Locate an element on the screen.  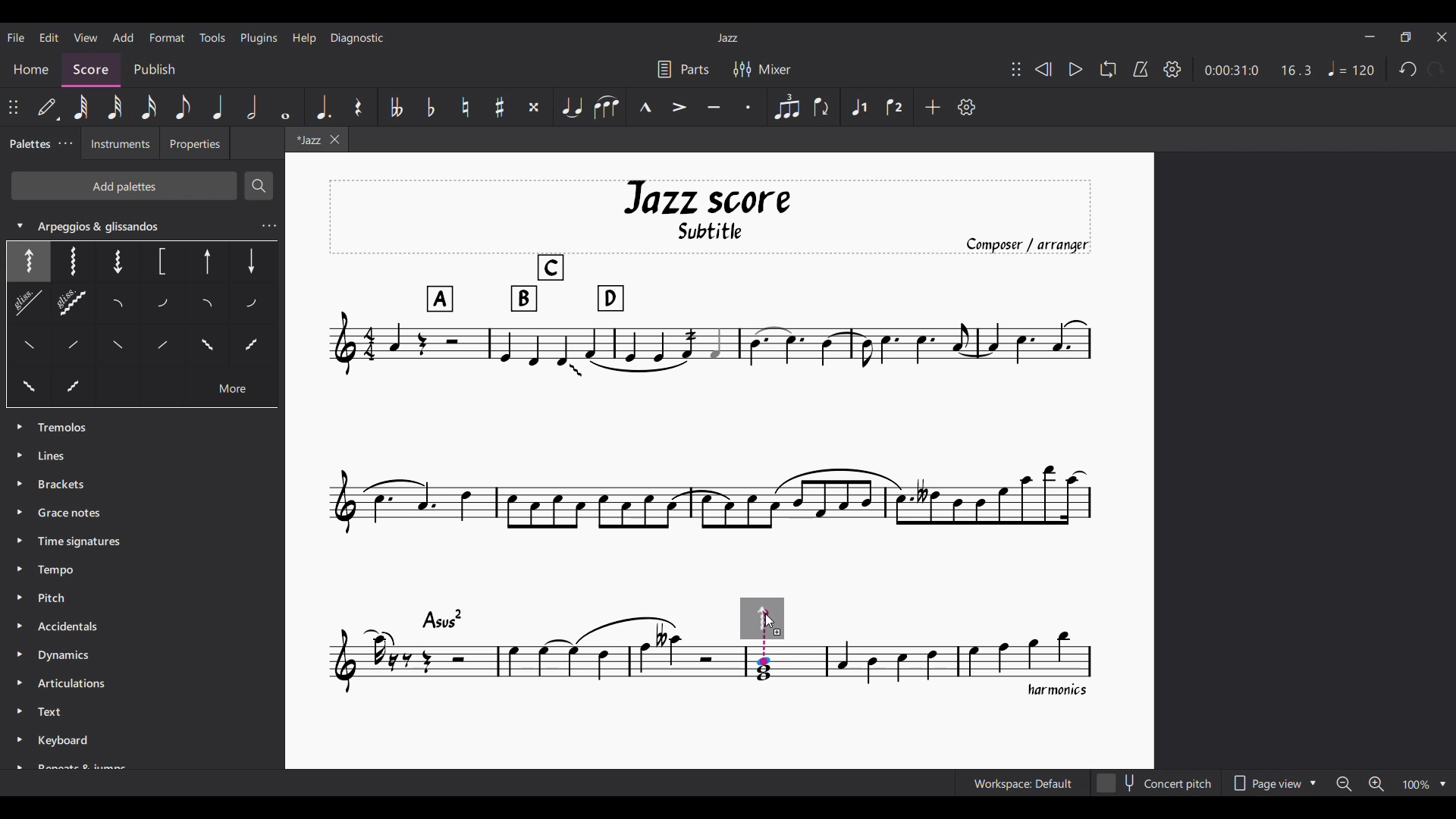
Current tab is located at coordinates (305, 140).